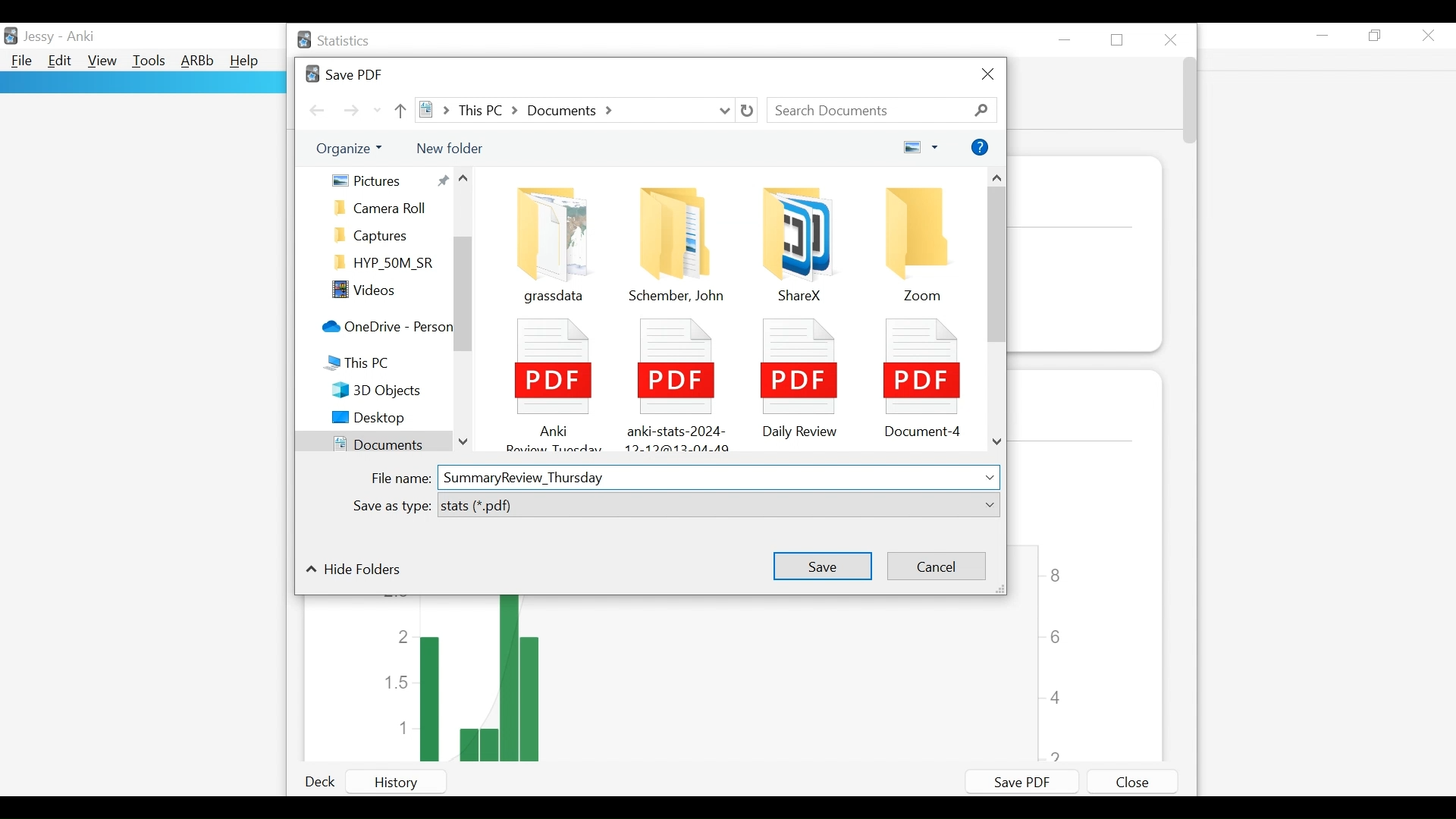 Image resolution: width=1456 pixels, height=819 pixels. Describe the element at coordinates (384, 419) in the screenshot. I see `Desktop` at that location.